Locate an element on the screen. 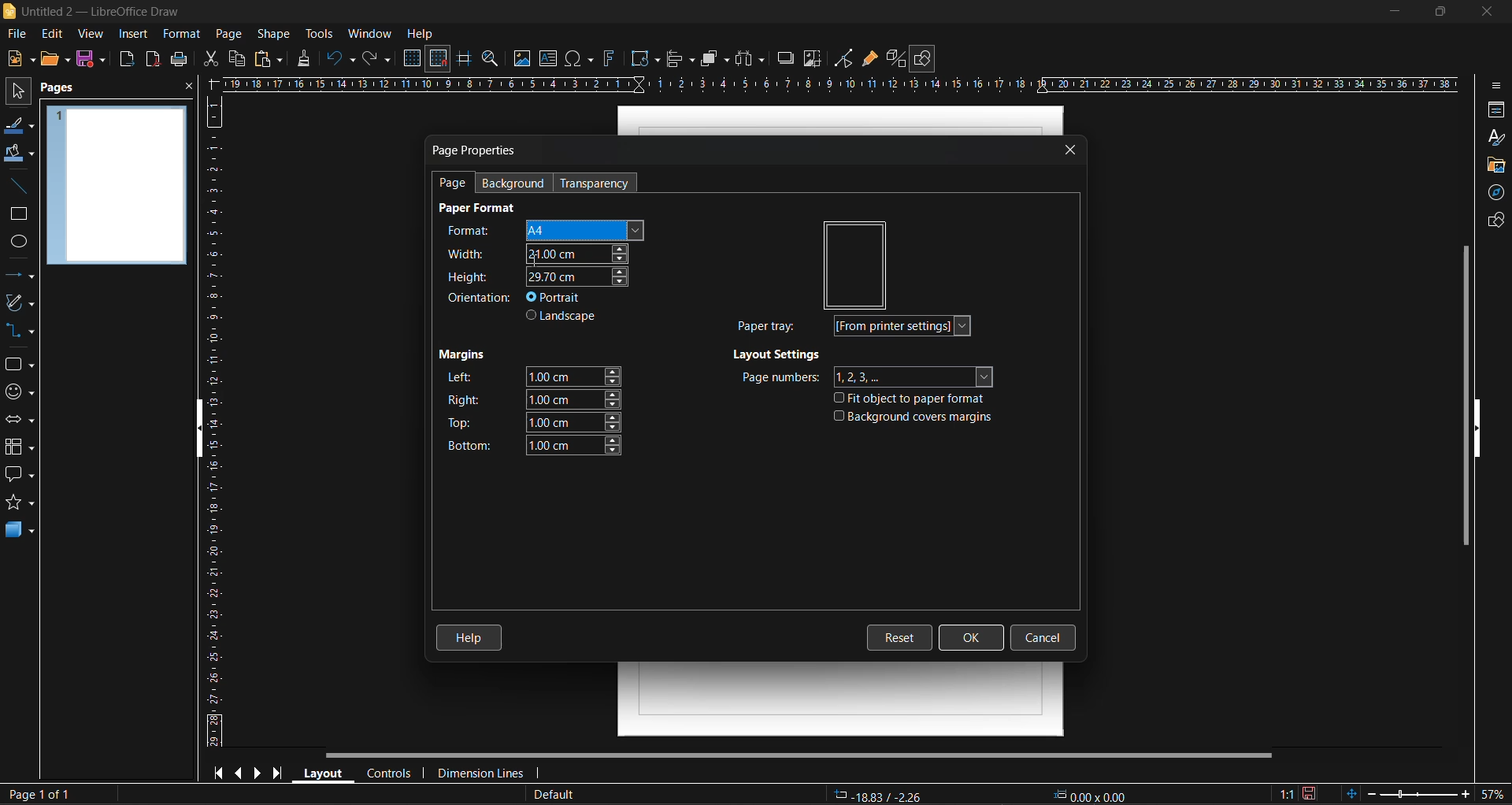 This screenshot has height=805, width=1512. ok is located at coordinates (972, 635).